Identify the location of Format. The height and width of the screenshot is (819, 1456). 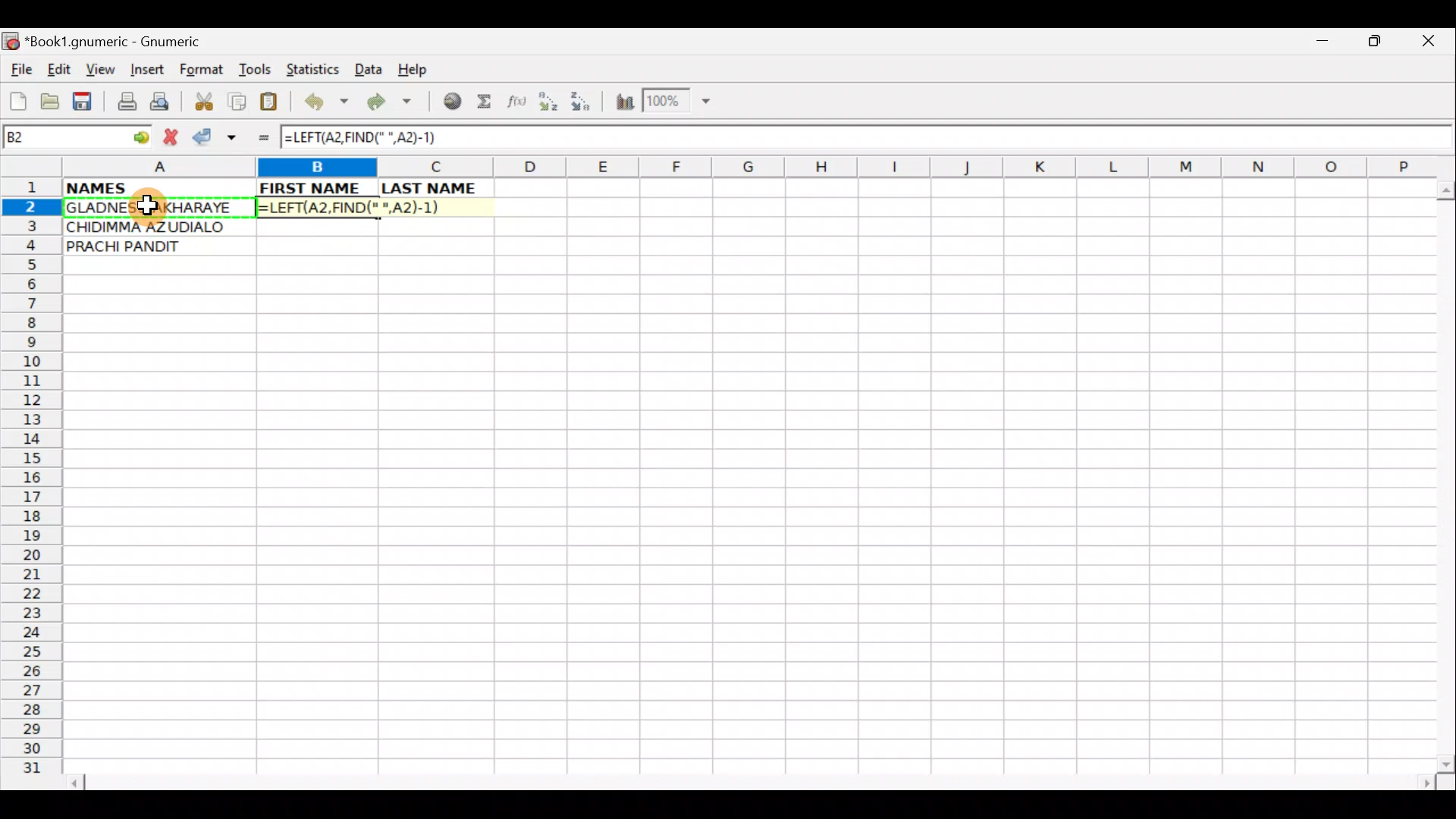
(205, 71).